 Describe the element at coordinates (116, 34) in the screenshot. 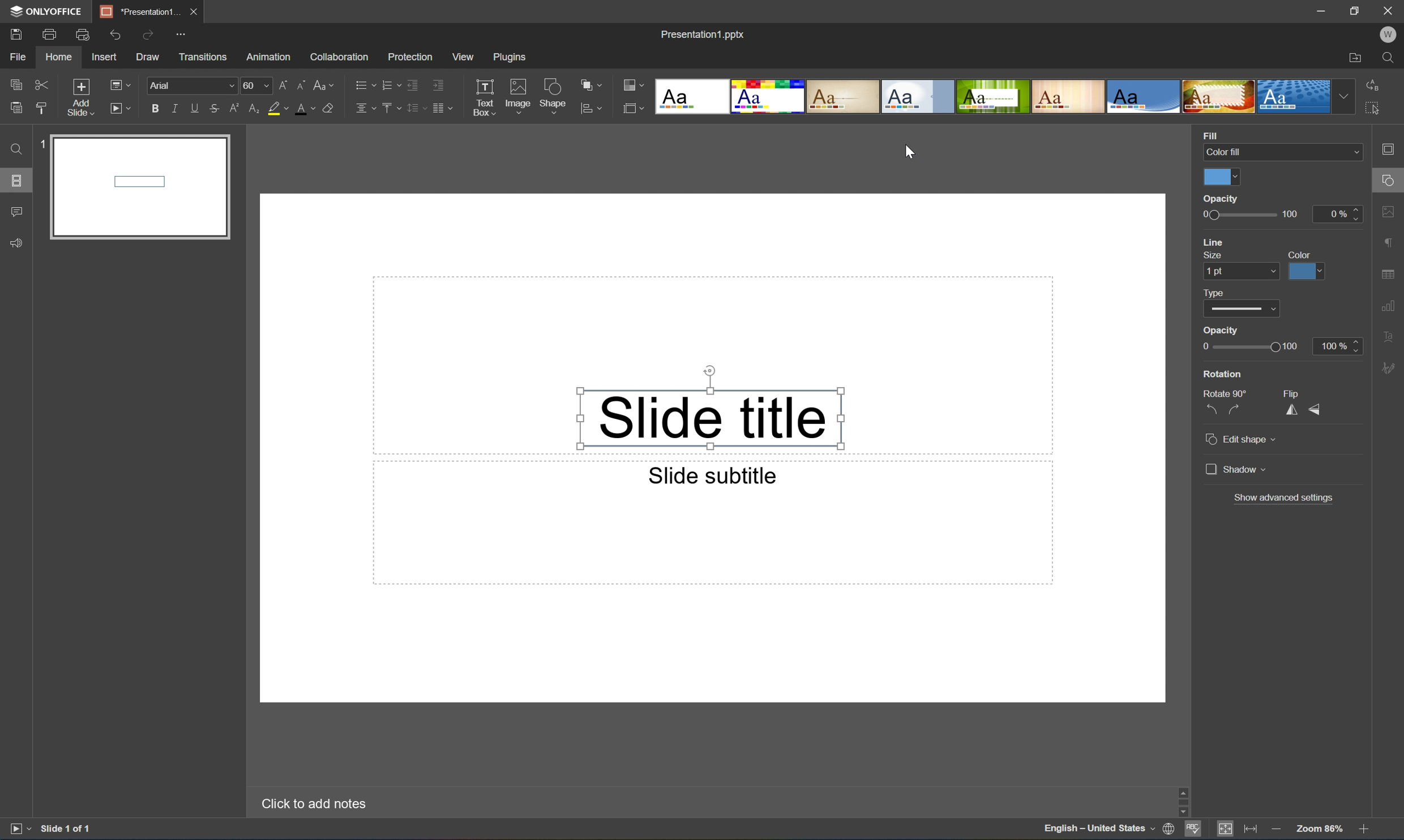

I see `Undo` at that location.